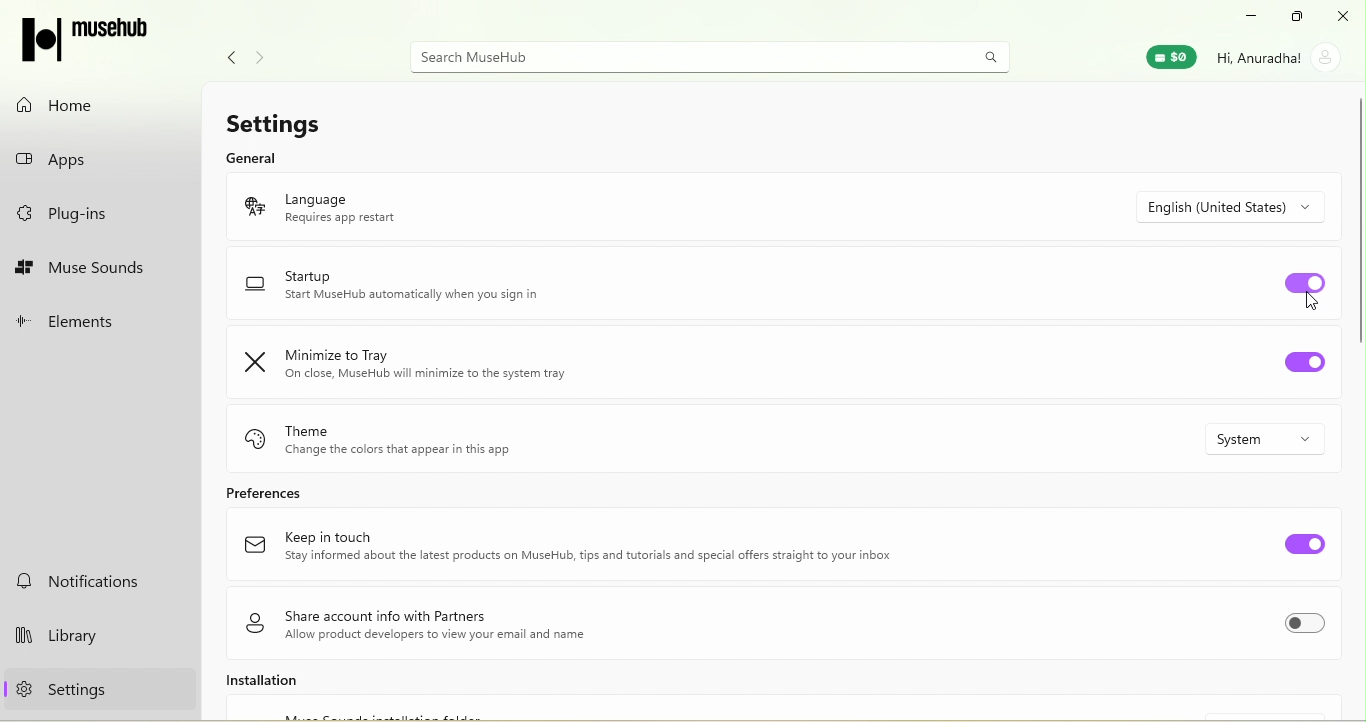 Image resolution: width=1366 pixels, height=722 pixels. Describe the element at coordinates (704, 56) in the screenshot. I see `search bar` at that location.